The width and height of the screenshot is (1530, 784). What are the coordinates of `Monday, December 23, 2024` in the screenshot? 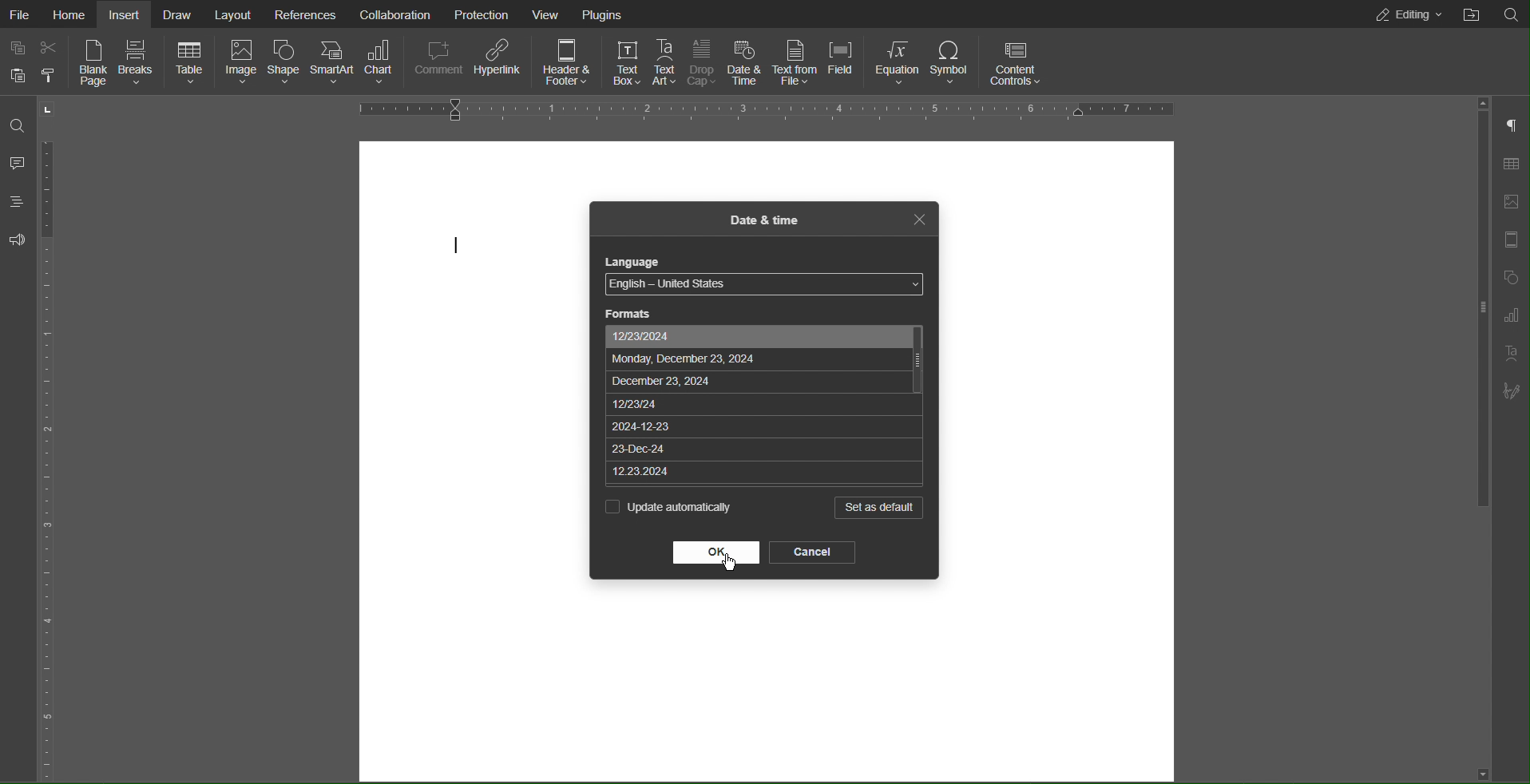 It's located at (756, 358).